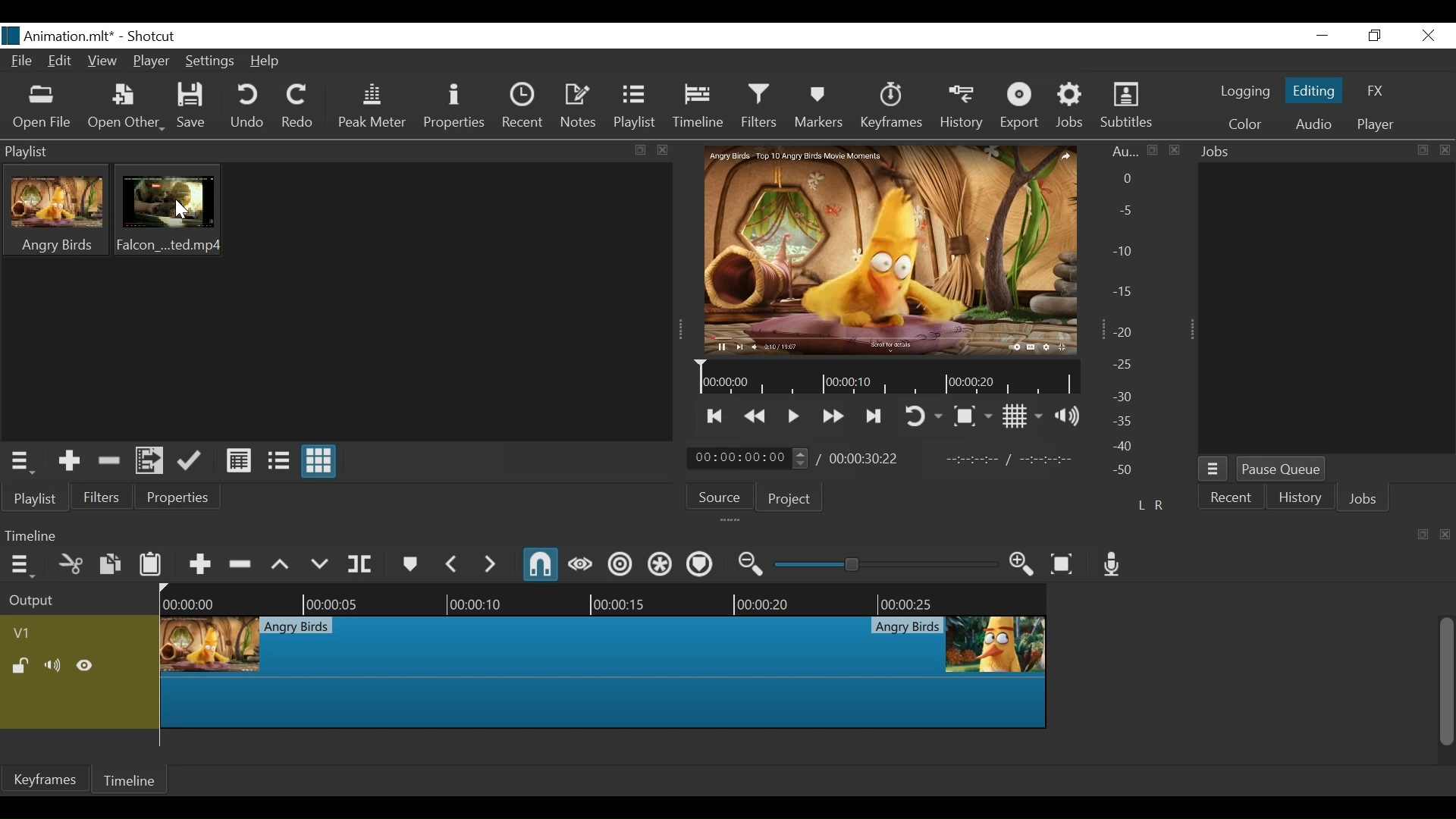  I want to click on Scrub while dragging, so click(580, 565).